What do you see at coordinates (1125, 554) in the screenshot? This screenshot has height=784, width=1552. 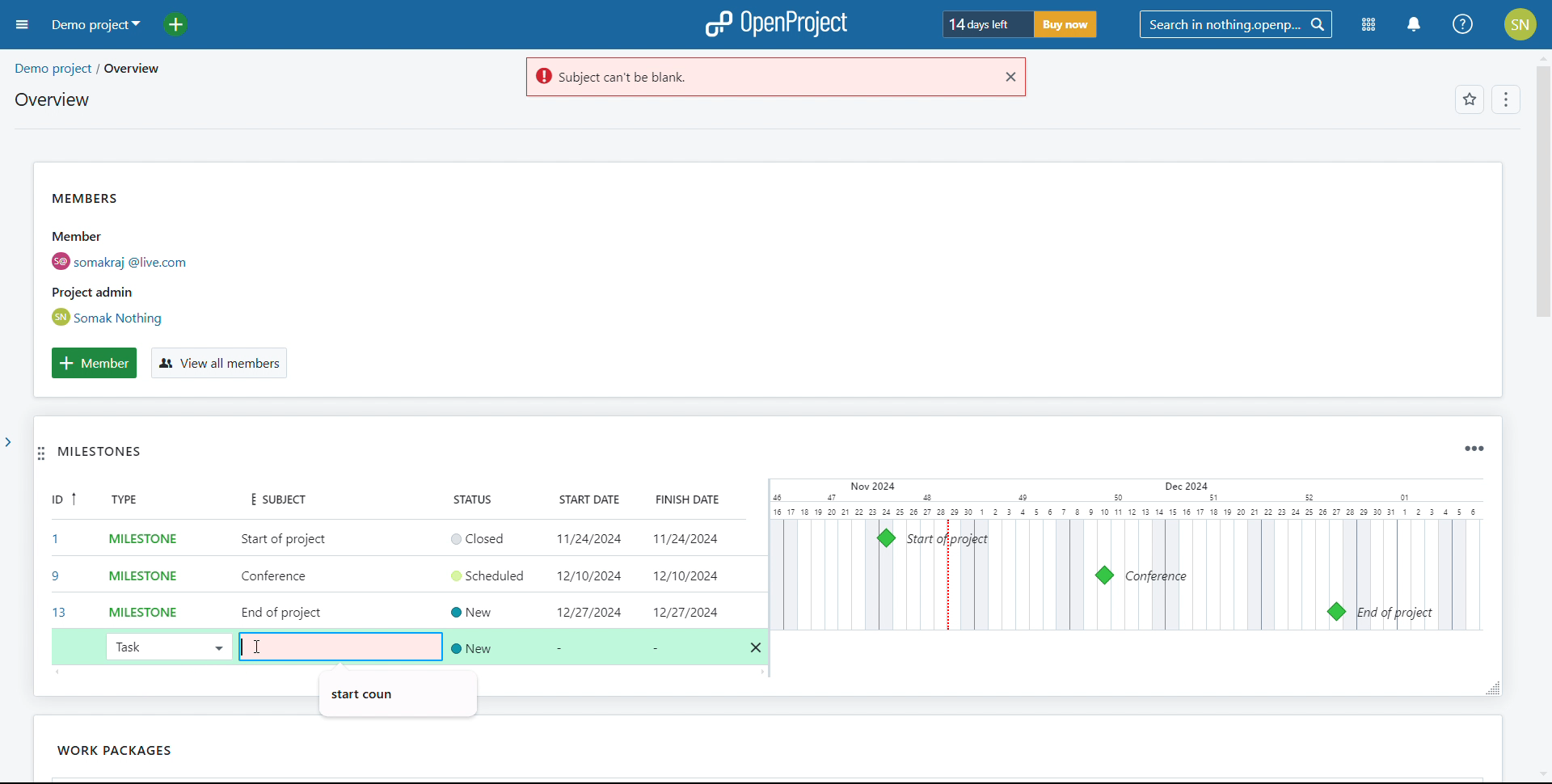 I see `calendar view` at bounding box center [1125, 554].